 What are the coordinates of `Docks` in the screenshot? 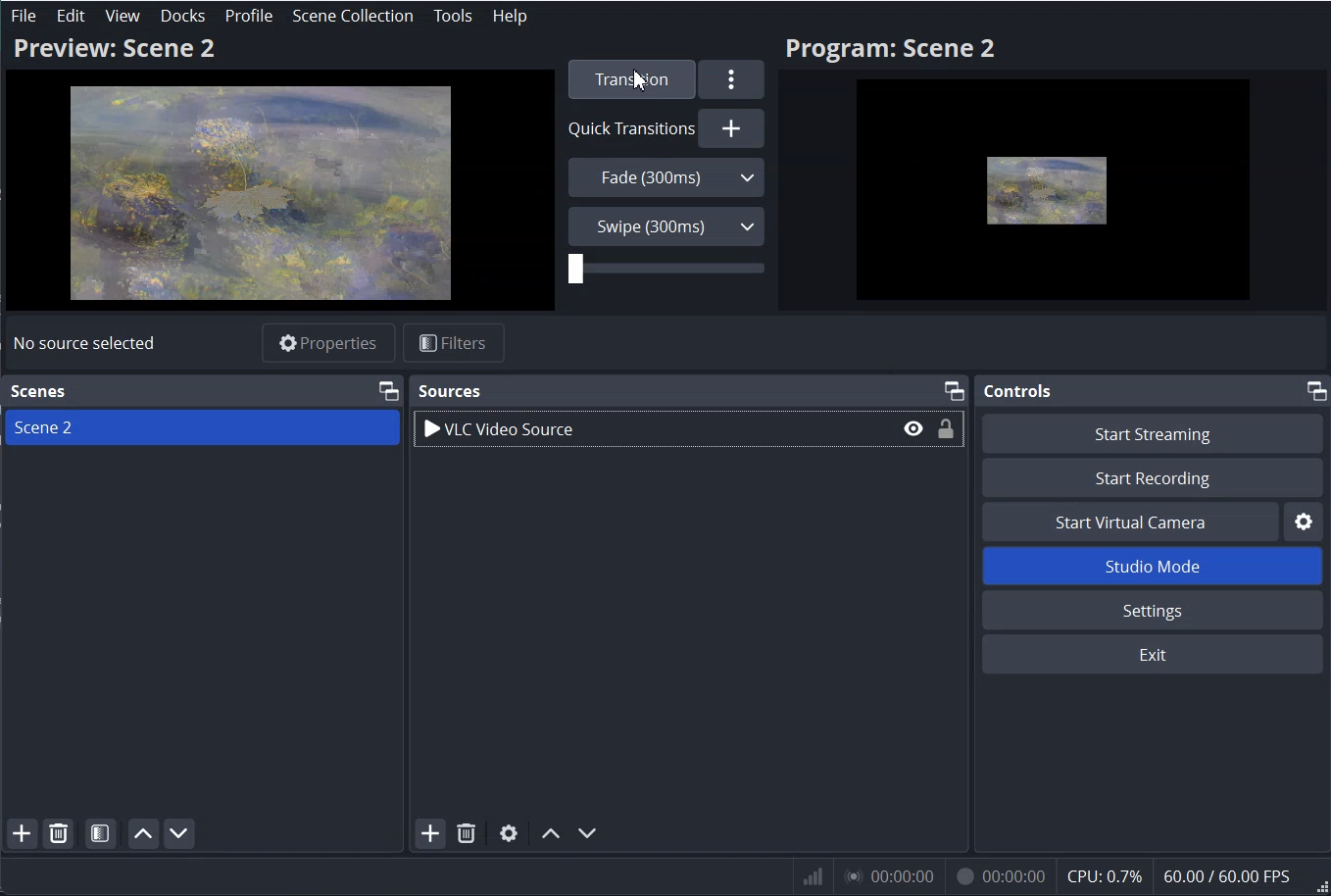 It's located at (181, 16).